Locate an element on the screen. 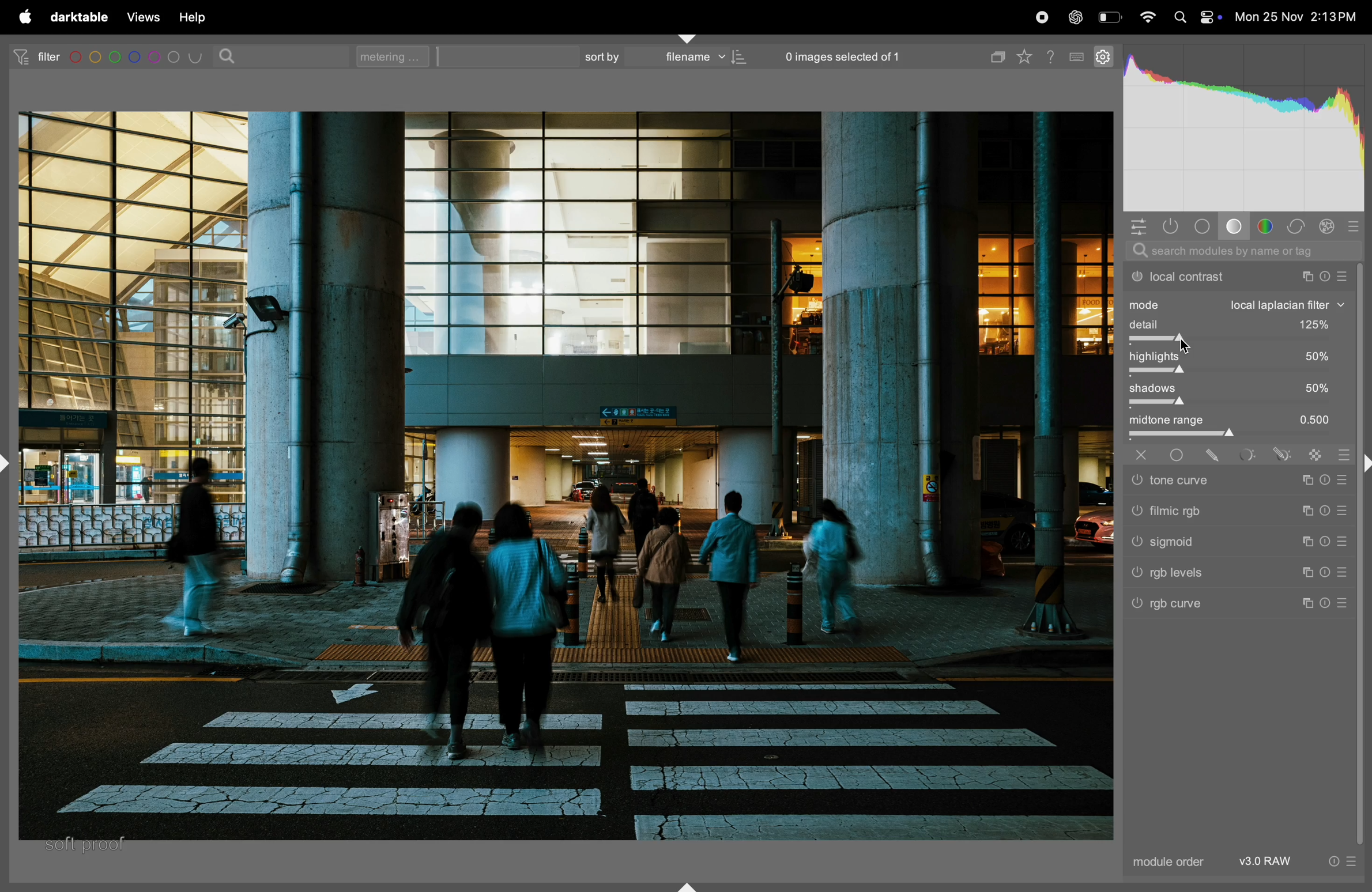 Image resolution: width=1372 pixels, height=892 pixels. detail is located at coordinates (1239, 325).